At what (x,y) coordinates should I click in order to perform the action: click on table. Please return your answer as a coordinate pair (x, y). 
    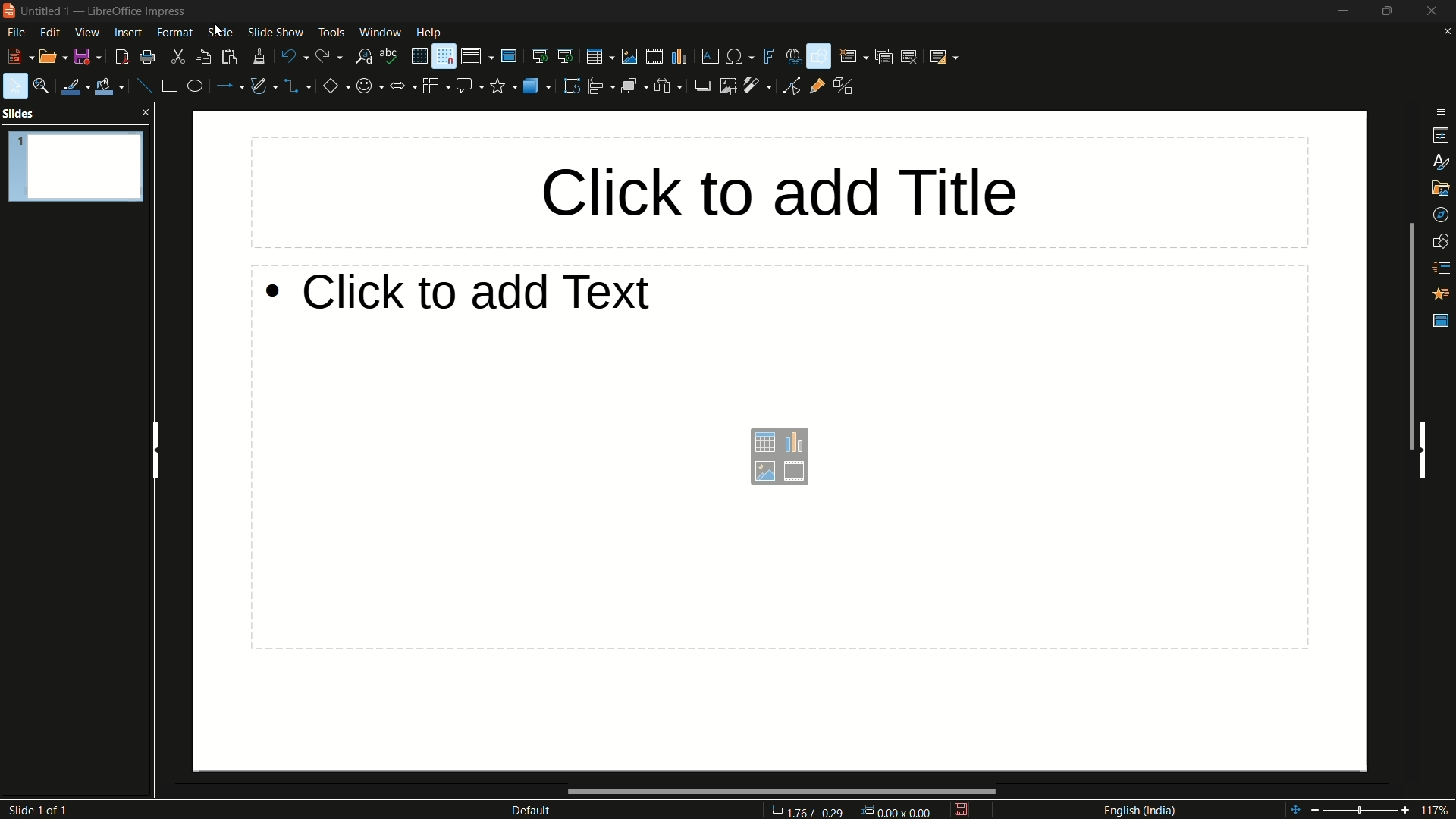
    Looking at the image, I should click on (601, 56).